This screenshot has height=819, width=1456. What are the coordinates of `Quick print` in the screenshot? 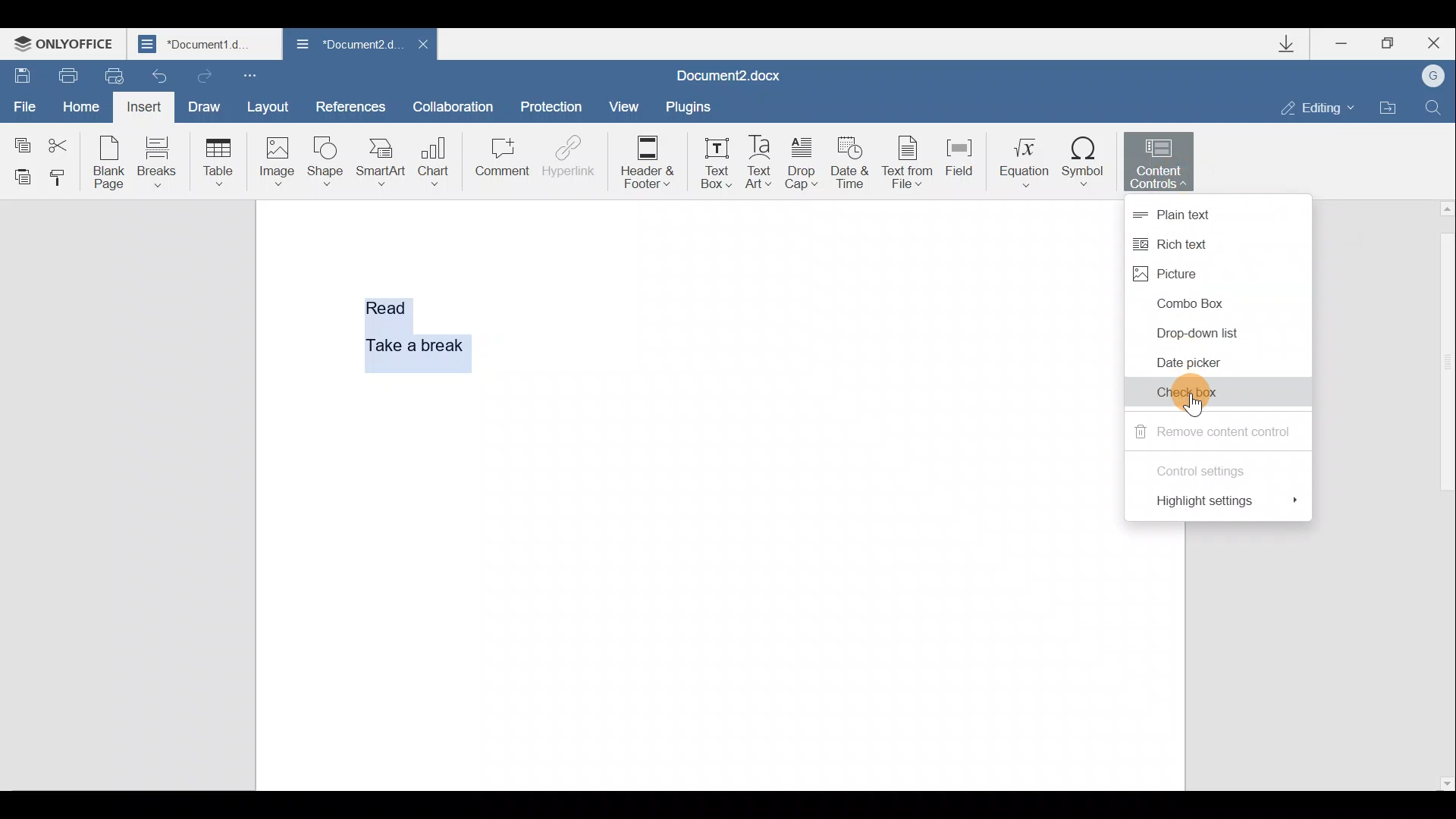 It's located at (108, 74).